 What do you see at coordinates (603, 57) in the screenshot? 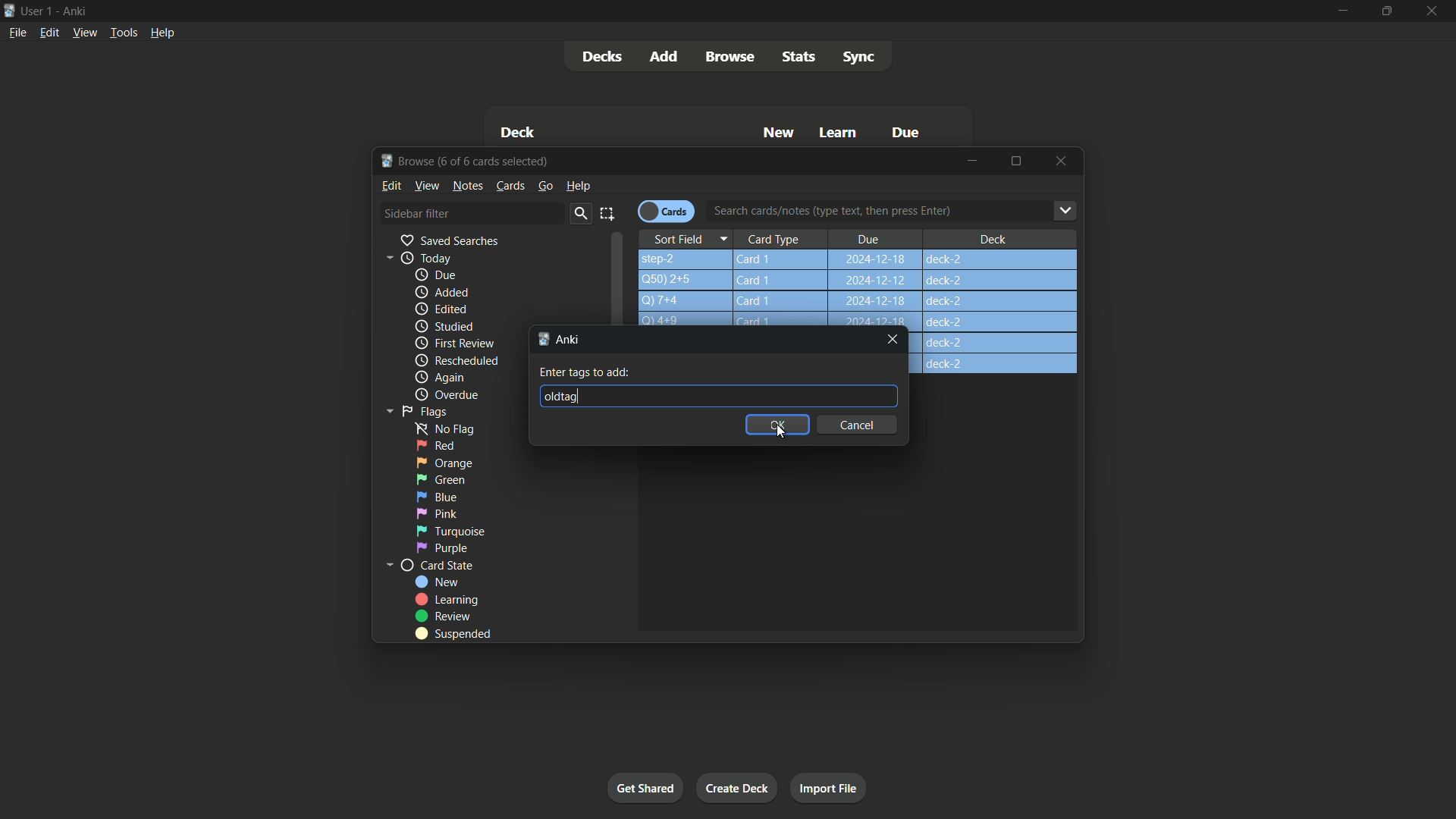
I see `Decks` at bounding box center [603, 57].